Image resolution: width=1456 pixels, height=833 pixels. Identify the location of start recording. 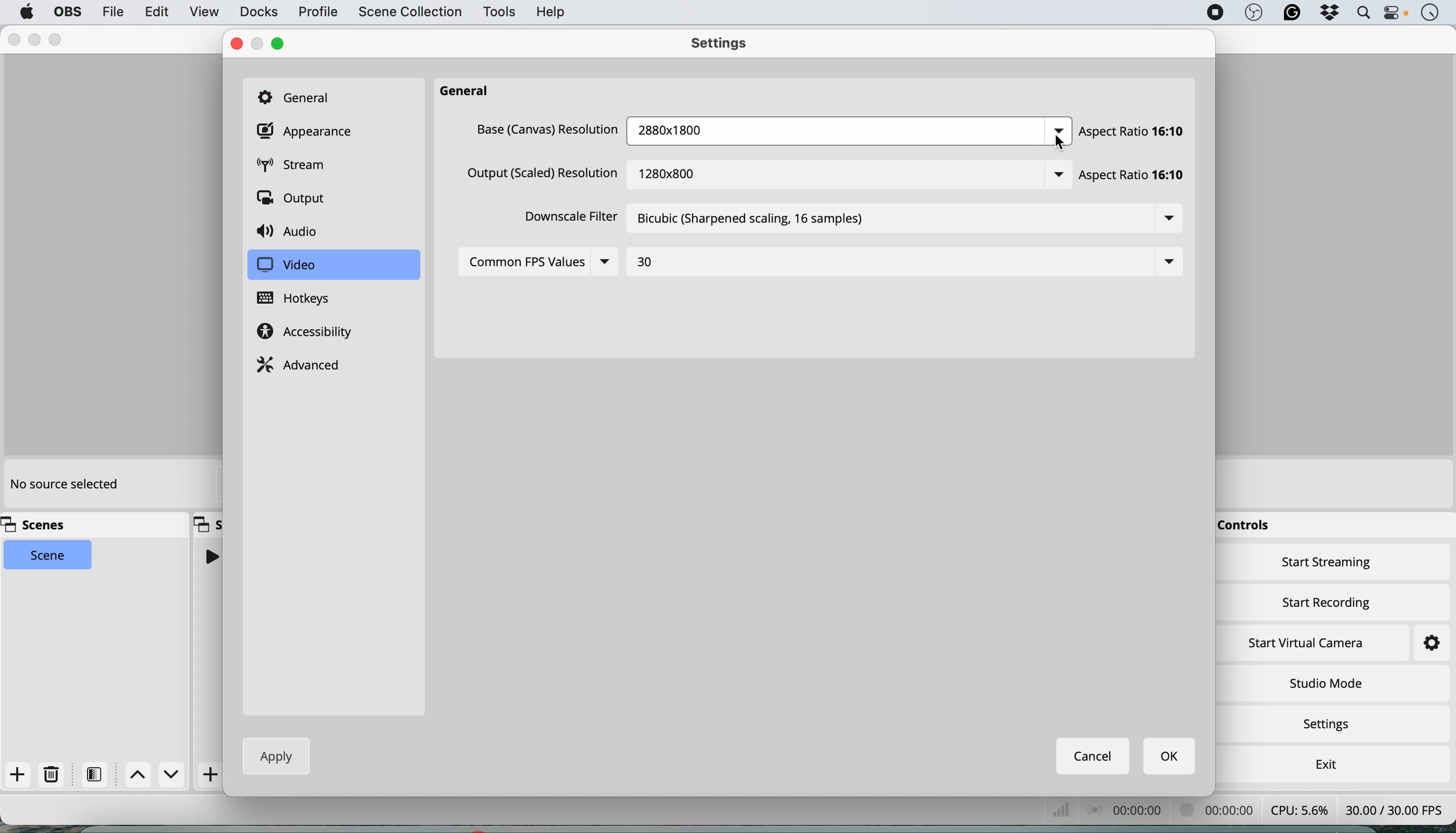
(1327, 600).